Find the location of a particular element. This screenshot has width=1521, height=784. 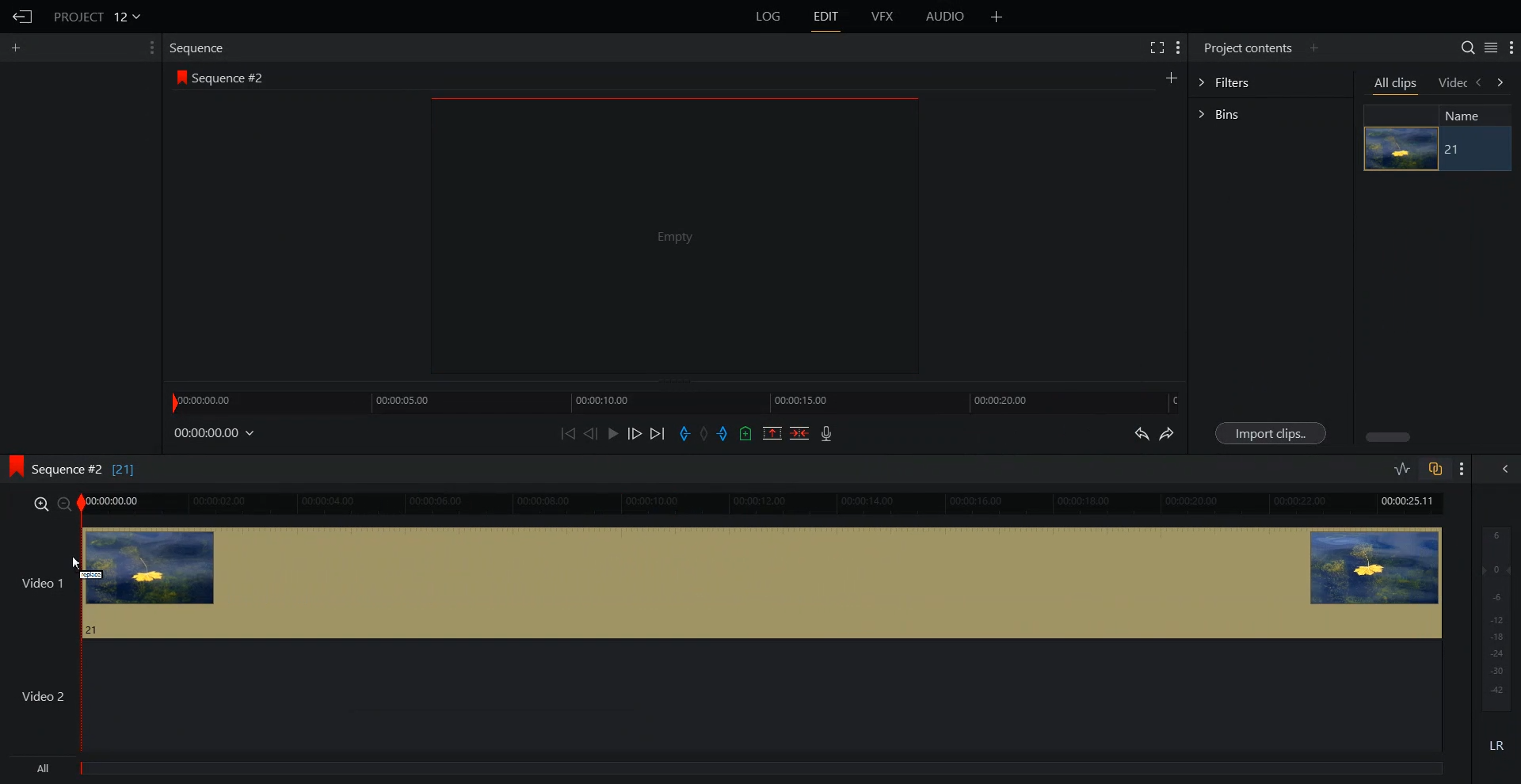

VFX is located at coordinates (884, 17).